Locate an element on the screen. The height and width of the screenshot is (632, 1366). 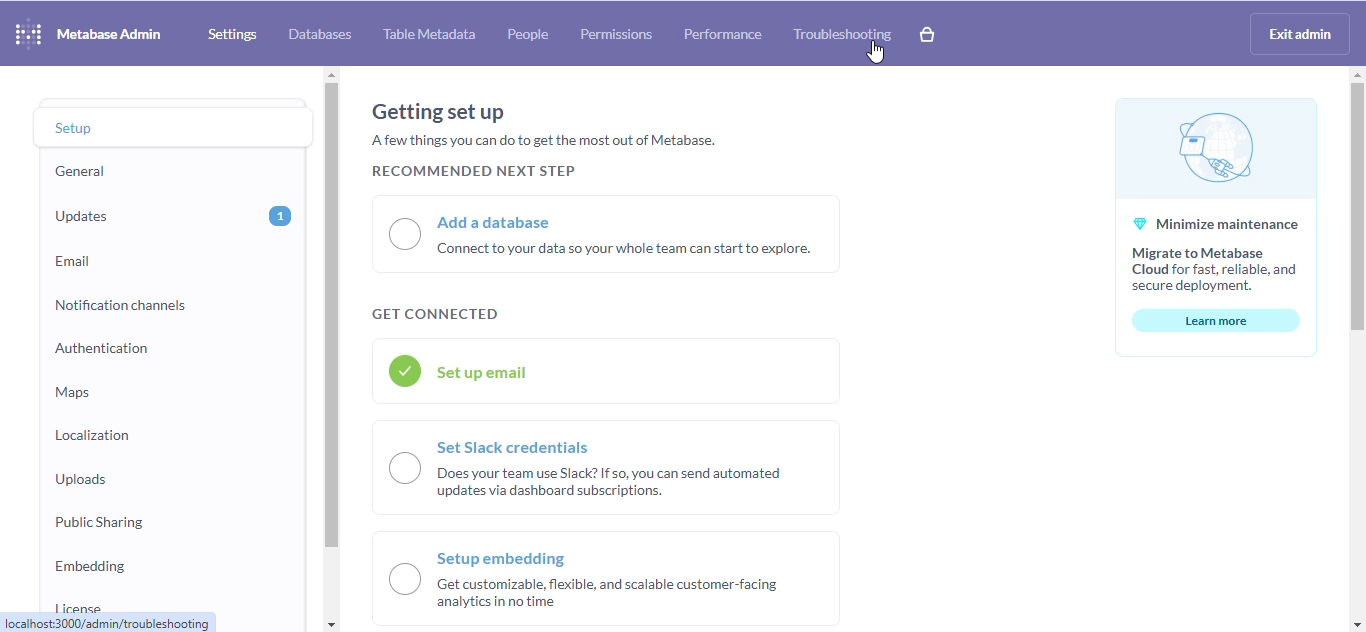
authentication is located at coordinates (101, 347).